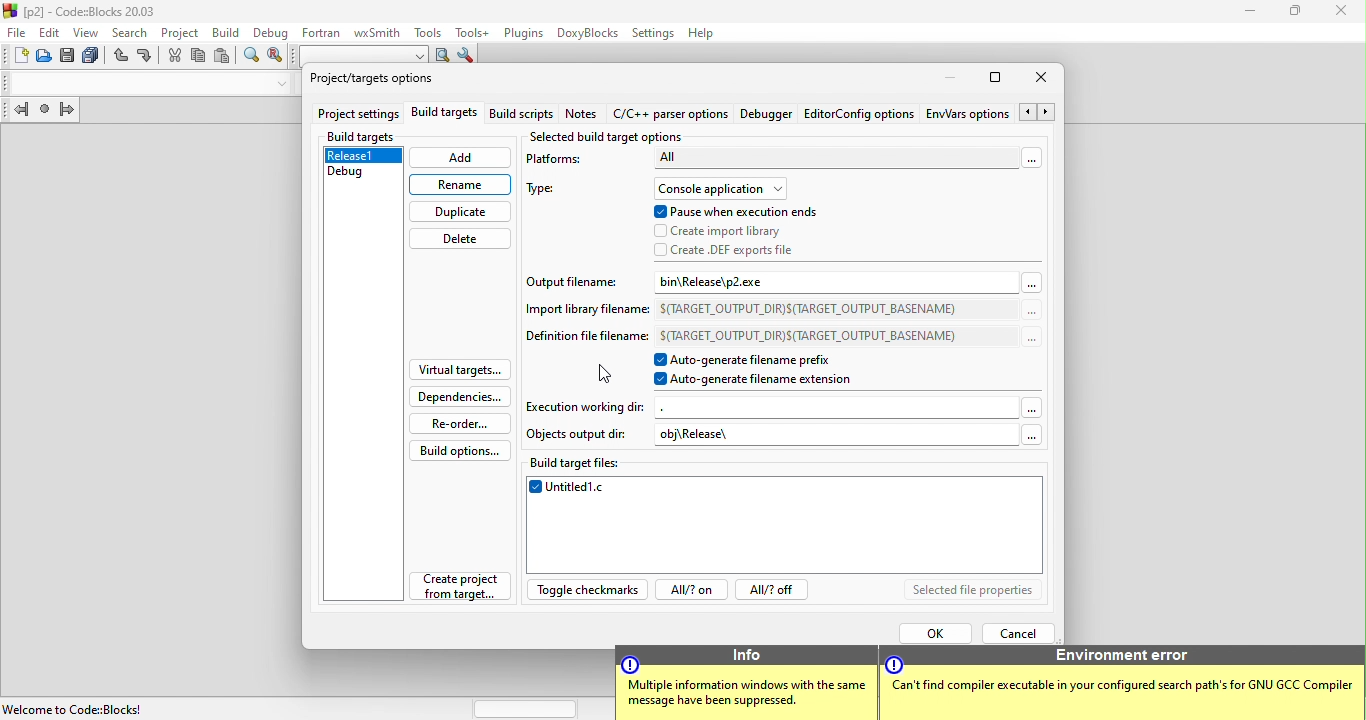 This screenshot has width=1366, height=720. What do you see at coordinates (578, 313) in the screenshot?
I see `import library file name` at bounding box center [578, 313].